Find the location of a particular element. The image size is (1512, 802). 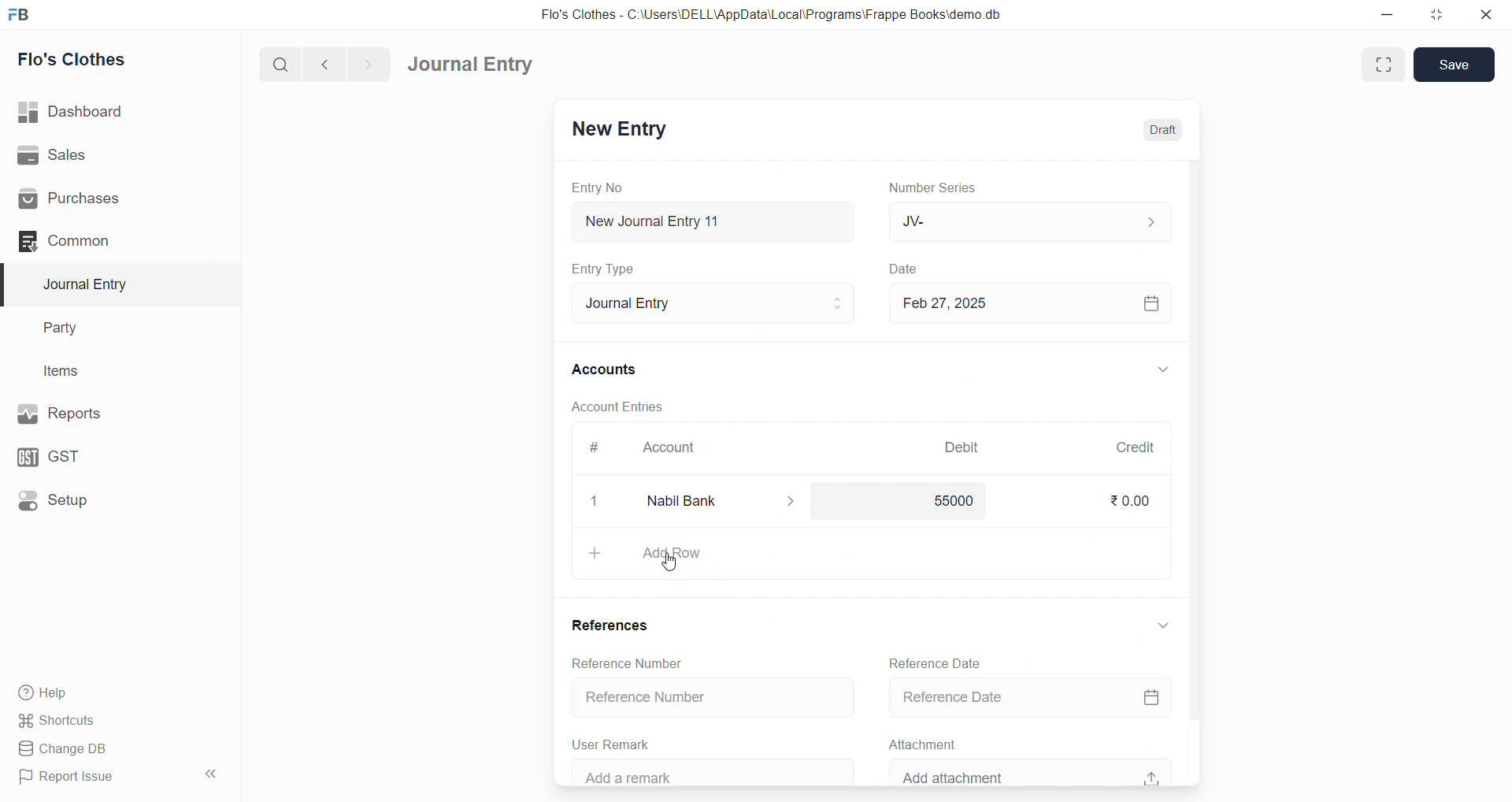

navigate forward is located at coordinates (372, 64).